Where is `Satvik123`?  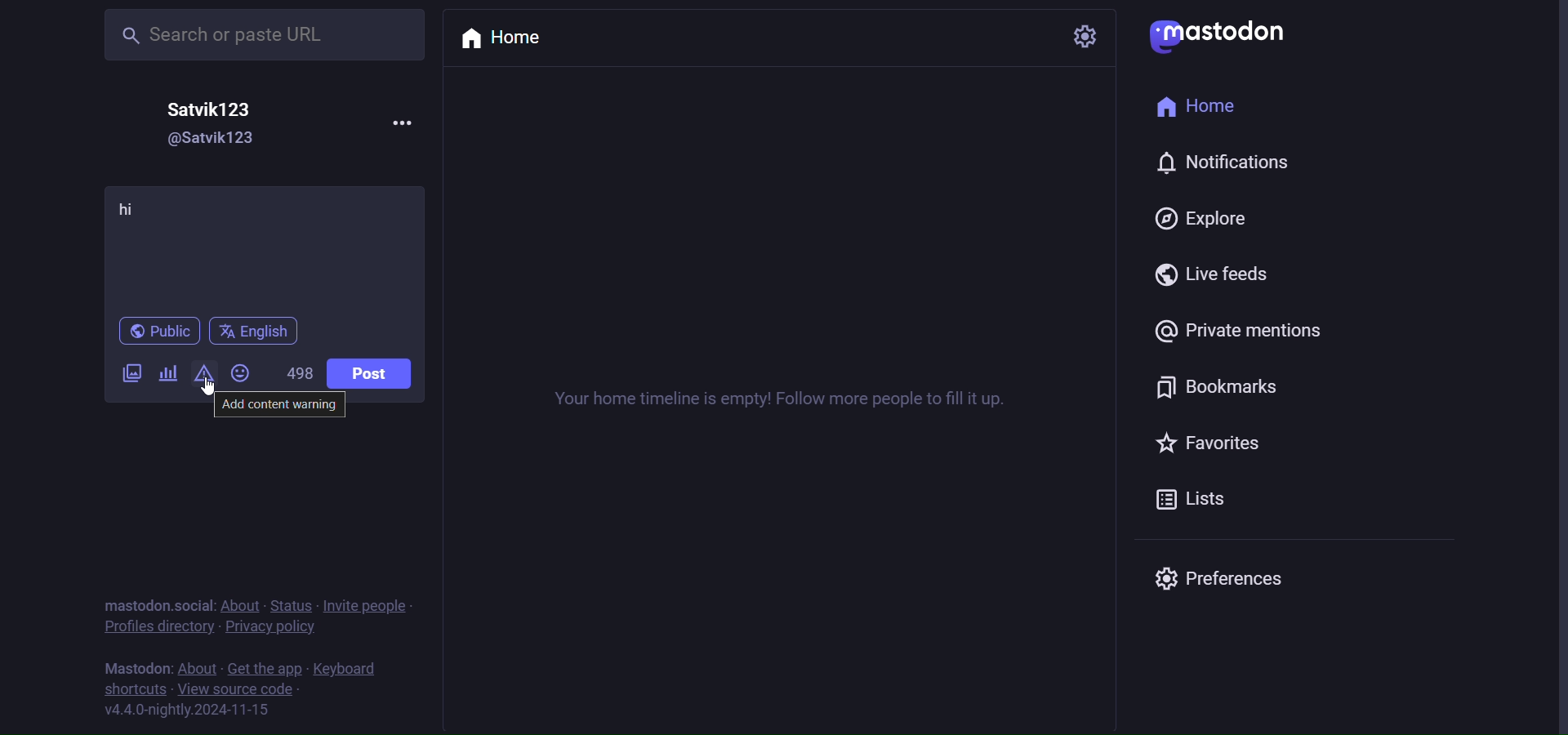
Satvik123 is located at coordinates (216, 107).